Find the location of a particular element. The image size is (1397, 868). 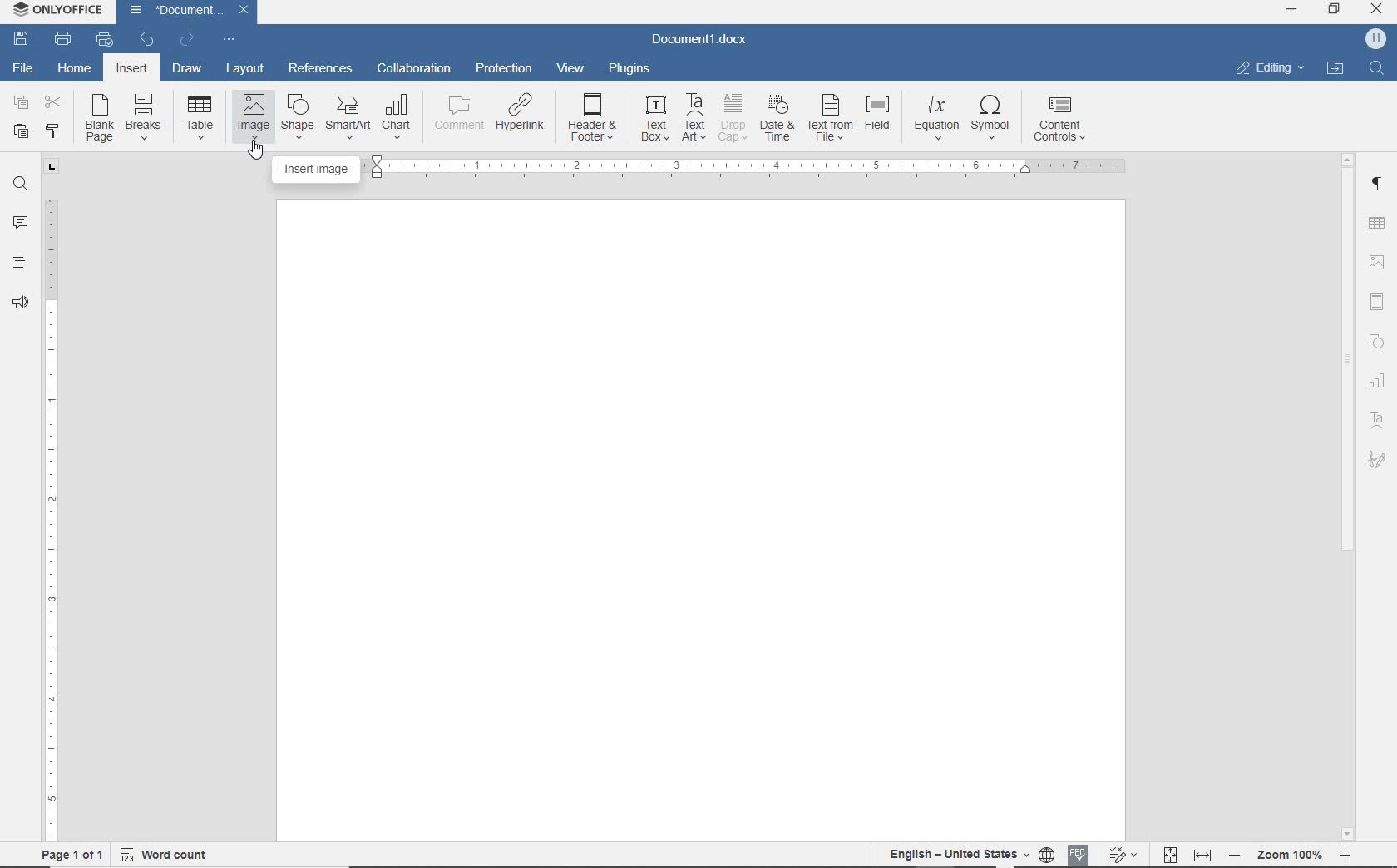

minimize is located at coordinates (1291, 8).